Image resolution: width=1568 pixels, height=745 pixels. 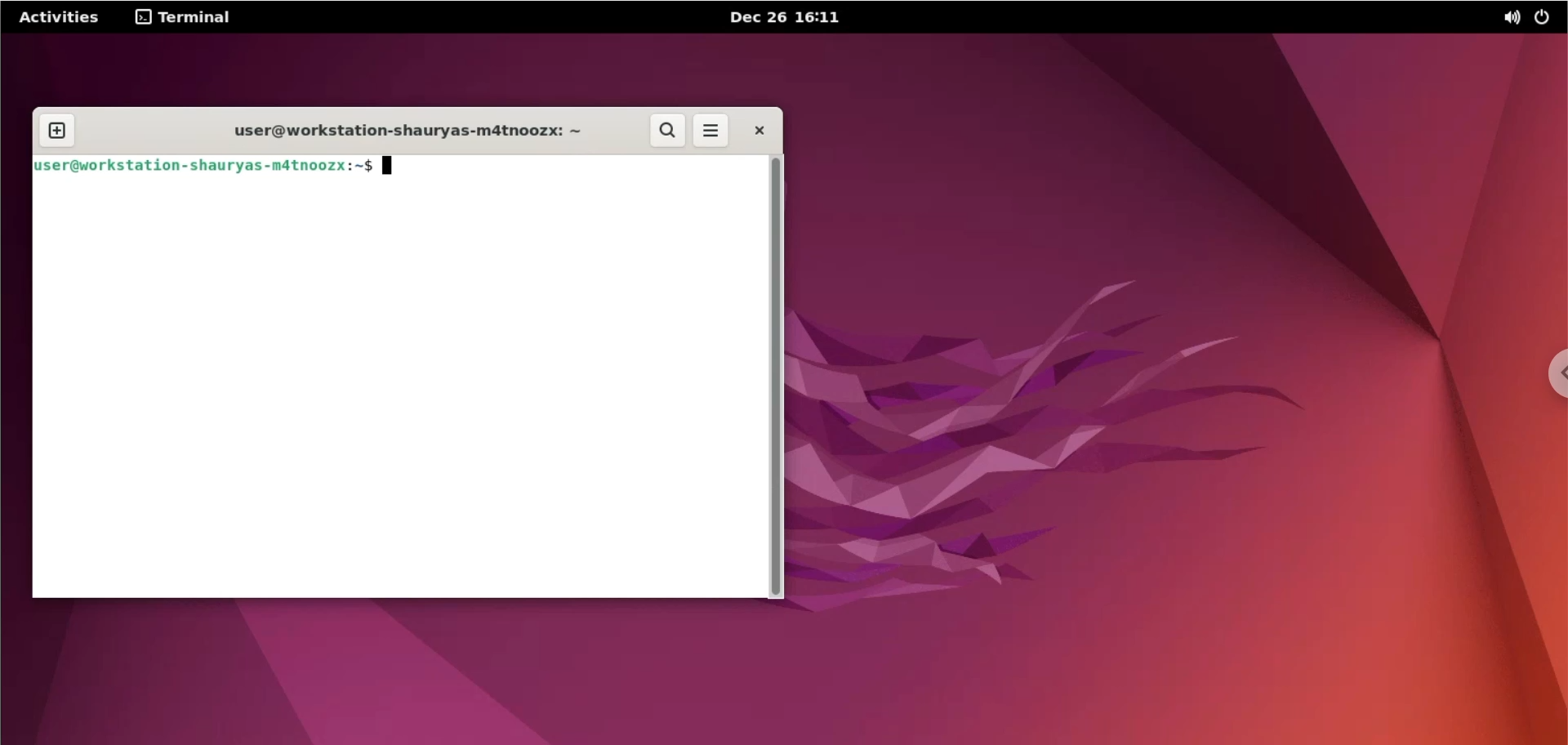 What do you see at coordinates (764, 131) in the screenshot?
I see `close` at bounding box center [764, 131].